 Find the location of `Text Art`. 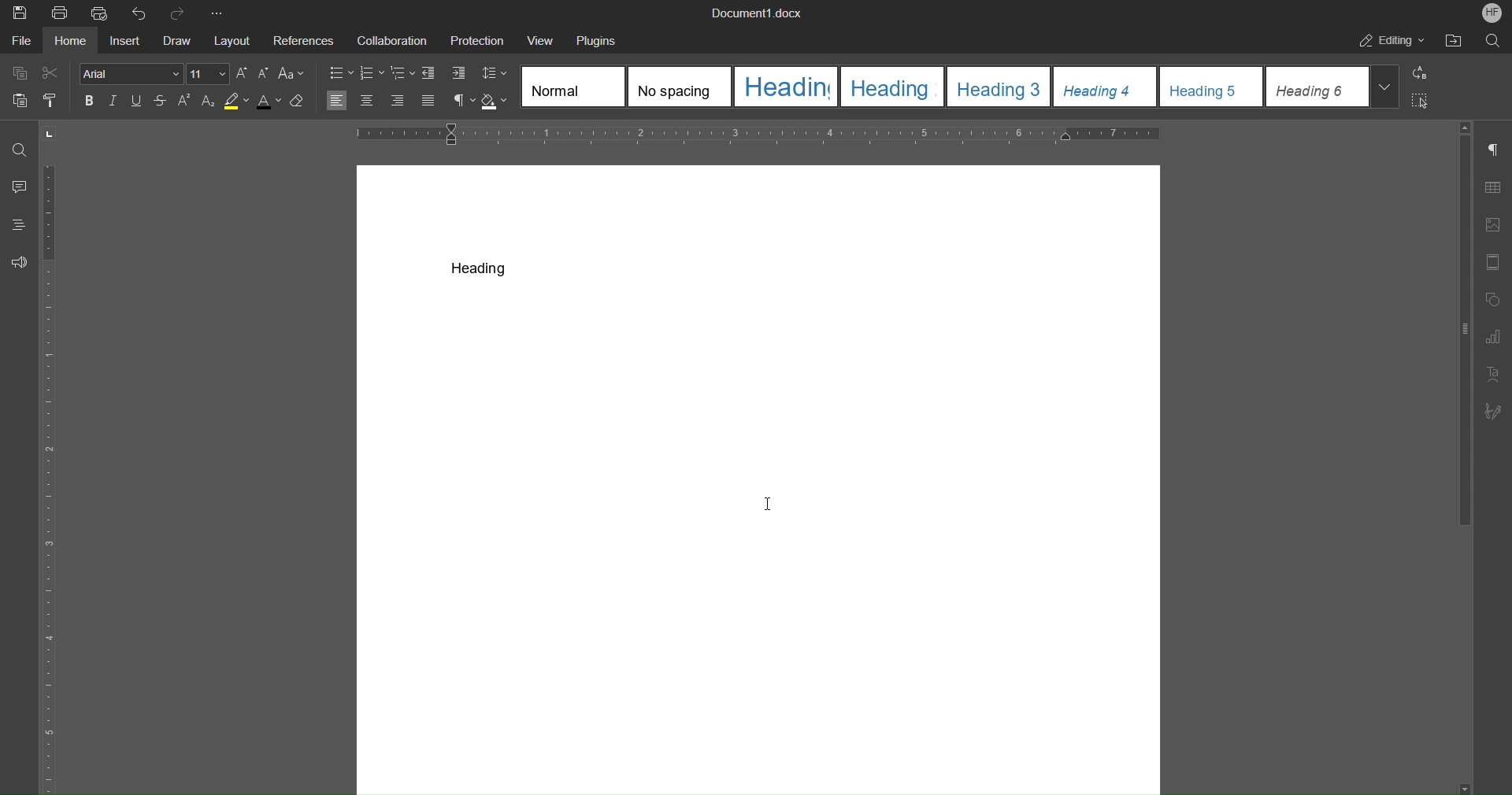

Text Art is located at coordinates (1496, 374).